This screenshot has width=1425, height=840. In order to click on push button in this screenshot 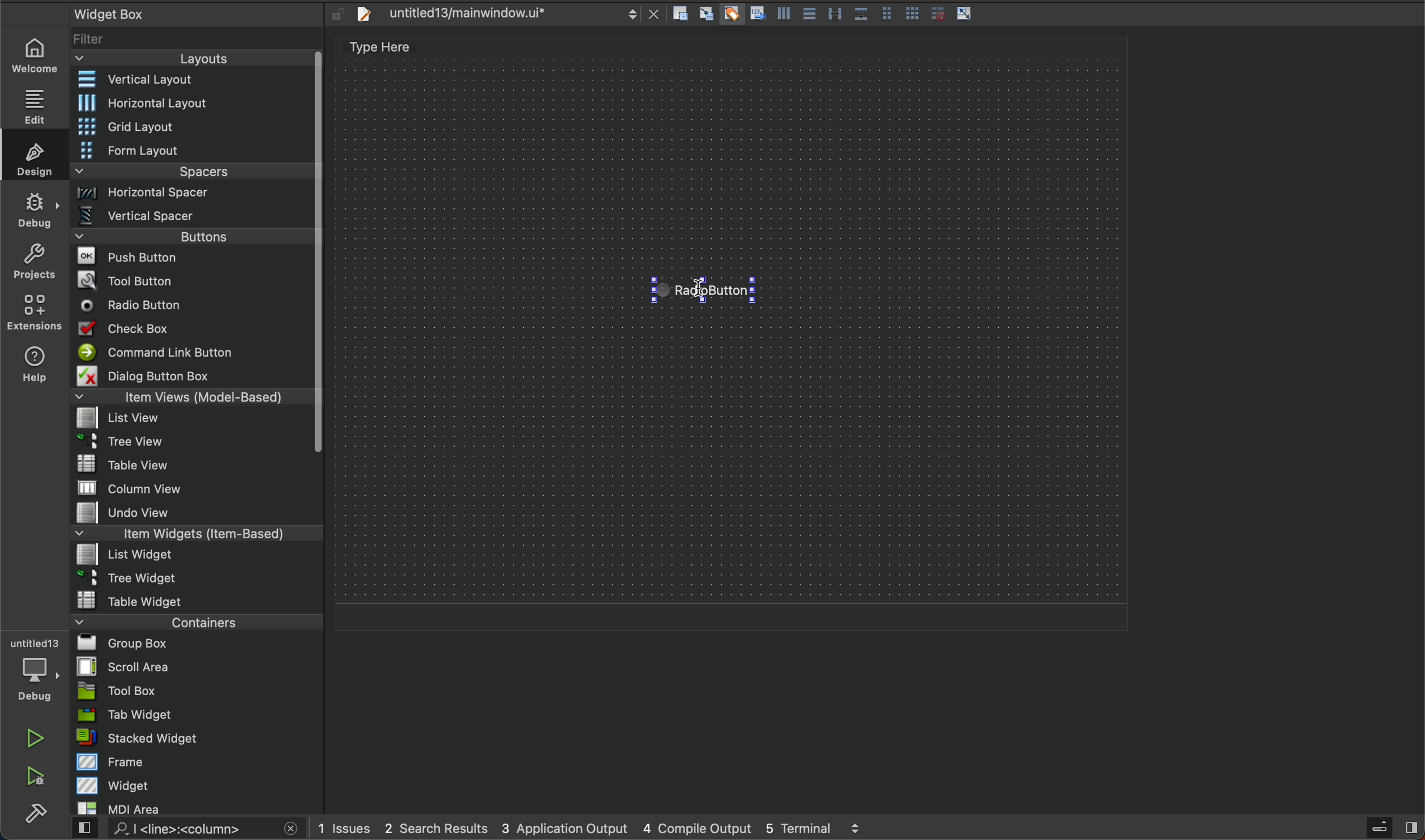, I will do `click(192, 259)`.